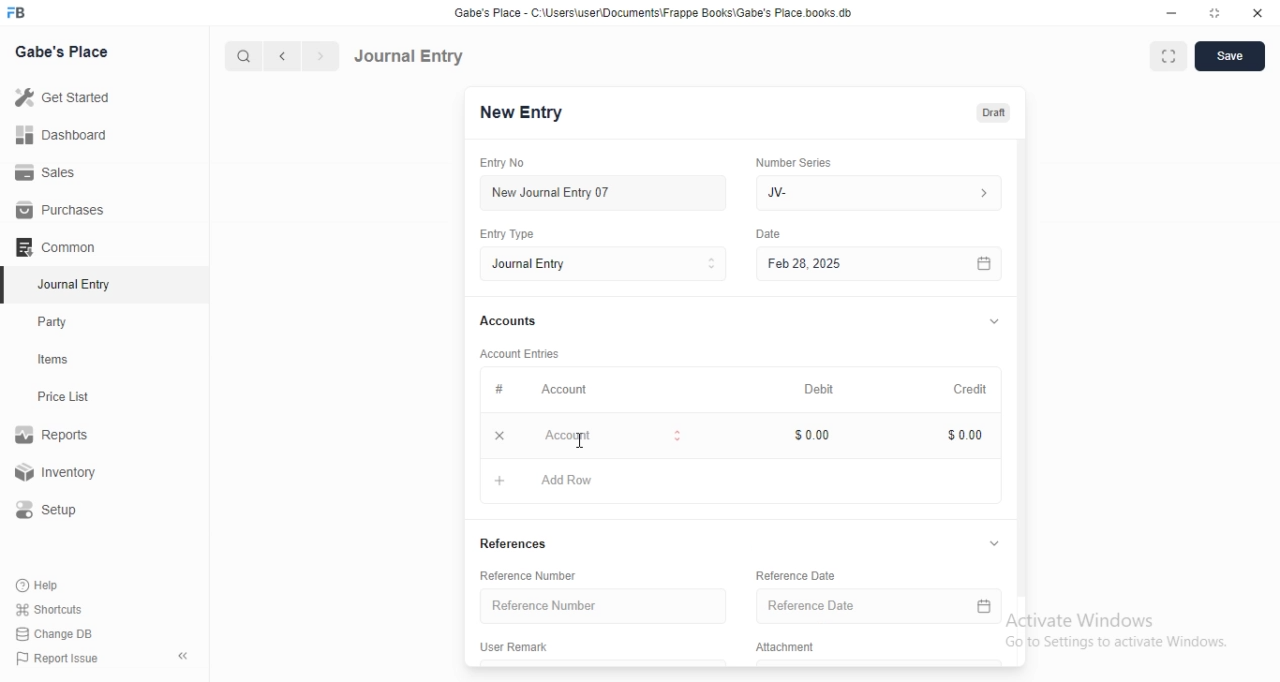  Describe the element at coordinates (506, 163) in the screenshot. I see `Entry No` at that location.